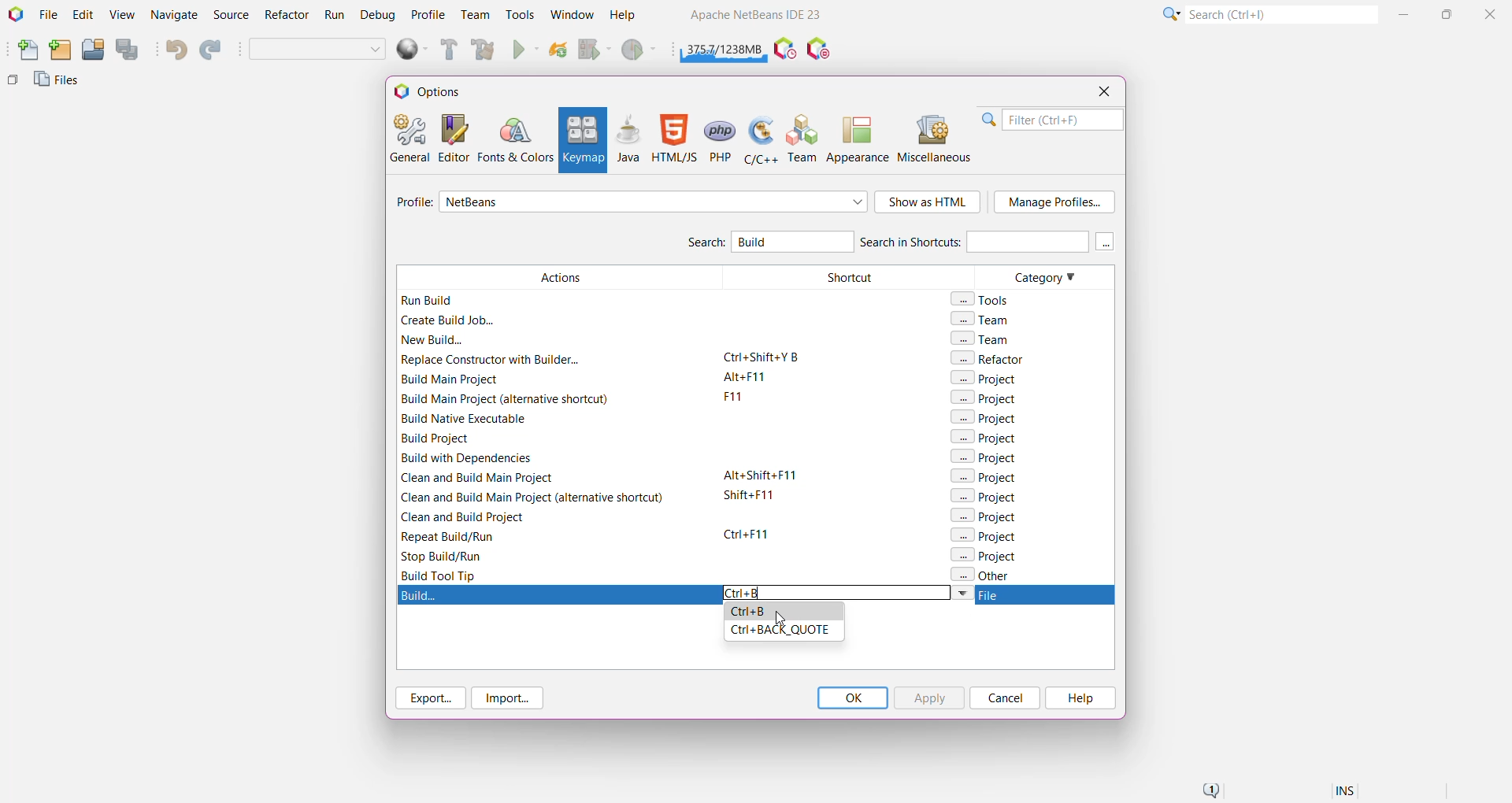 This screenshot has width=1512, height=803. I want to click on Close, so click(1492, 13).